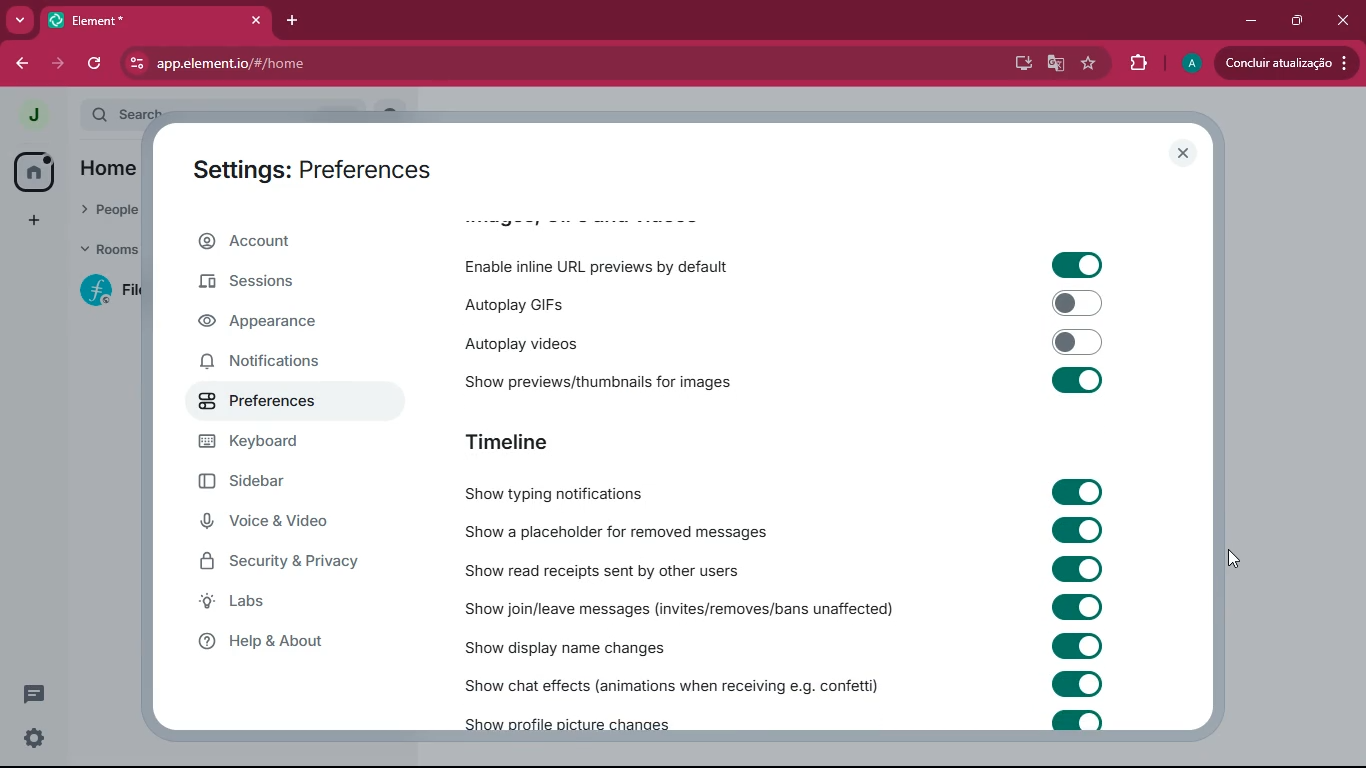 The height and width of the screenshot is (768, 1366). Describe the element at coordinates (603, 264) in the screenshot. I see `enable inline URL previews by default` at that location.